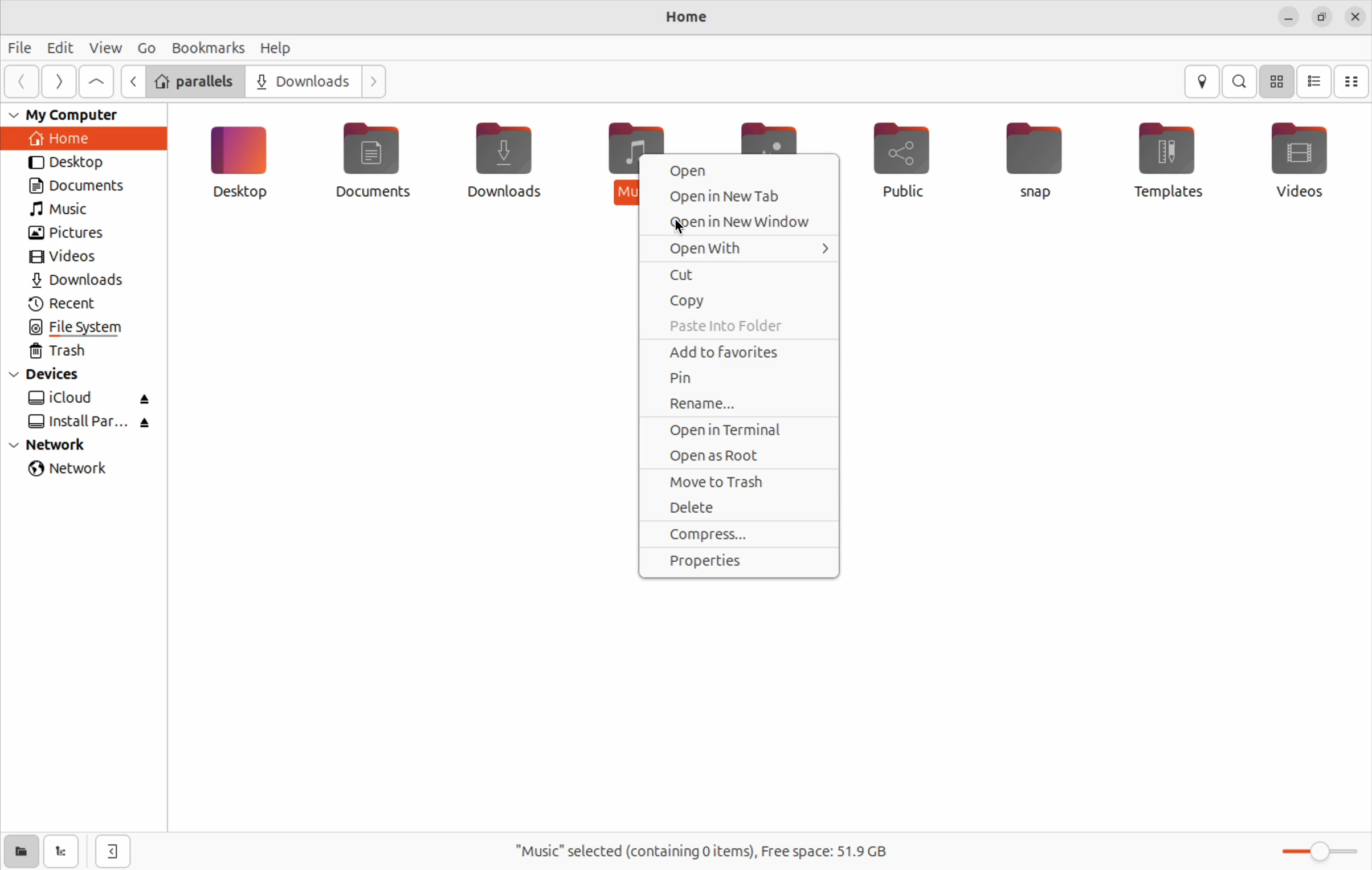 The height and width of the screenshot is (870, 1372). What do you see at coordinates (72, 304) in the screenshot?
I see `recent` at bounding box center [72, 304].